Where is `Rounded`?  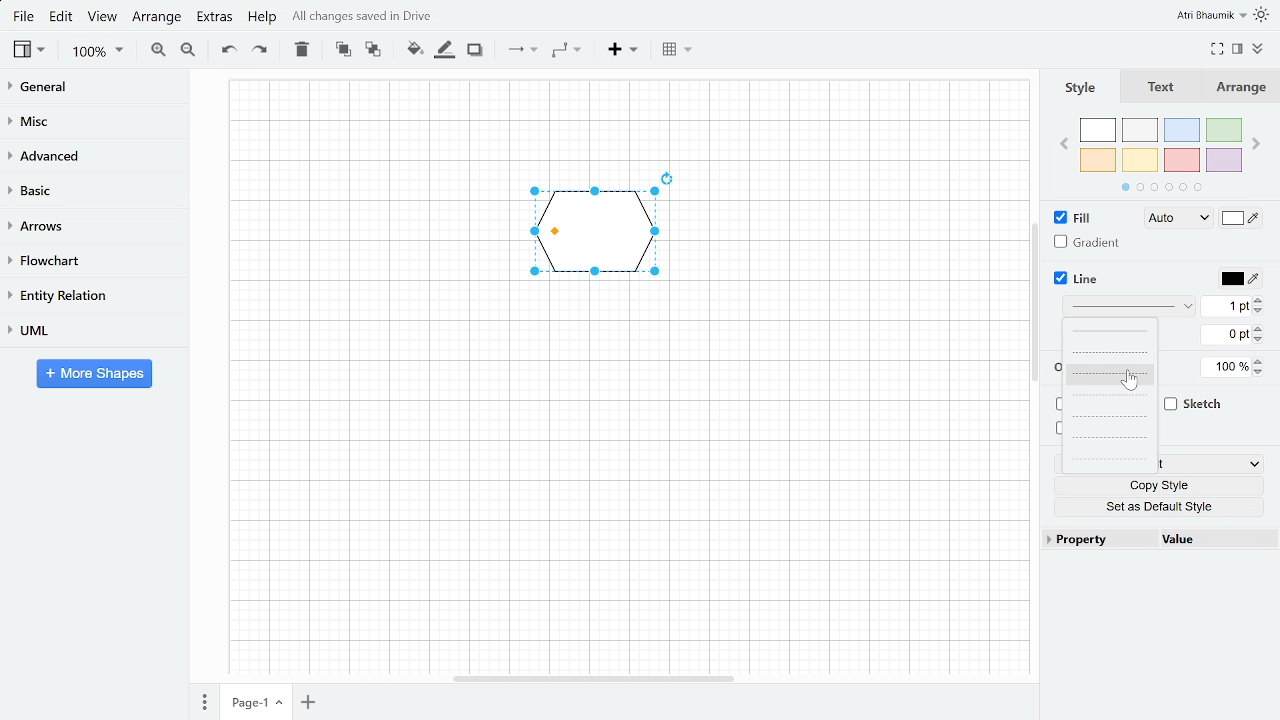 Rounded is located at coordinates (1057, 405).